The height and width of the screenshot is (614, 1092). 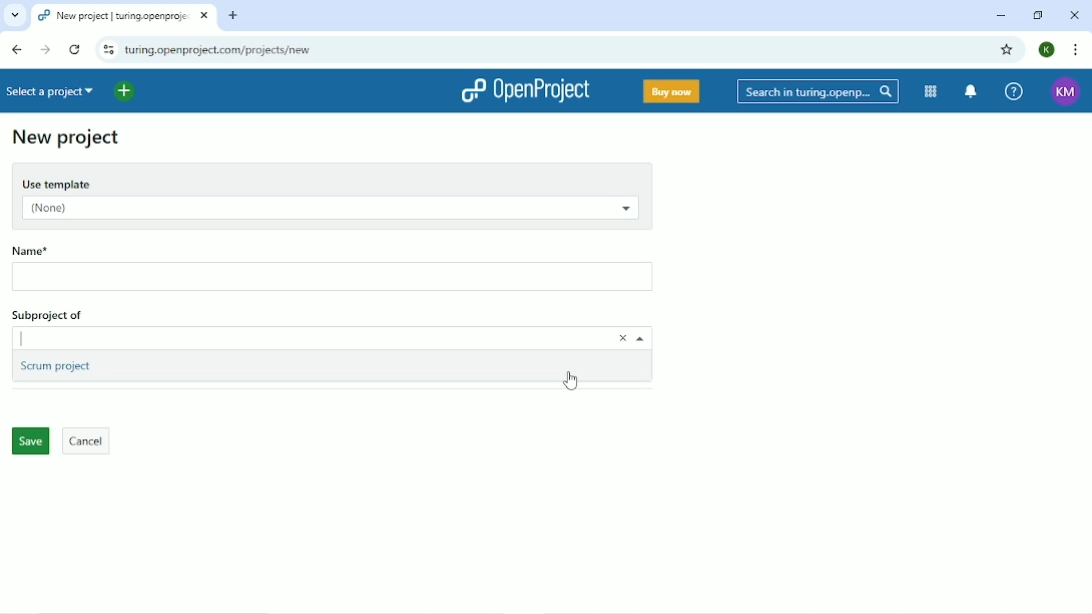 What do you see at coordinates (1048, 50) in the screenshot?
I see `K` at bounding box center [1048, 50].